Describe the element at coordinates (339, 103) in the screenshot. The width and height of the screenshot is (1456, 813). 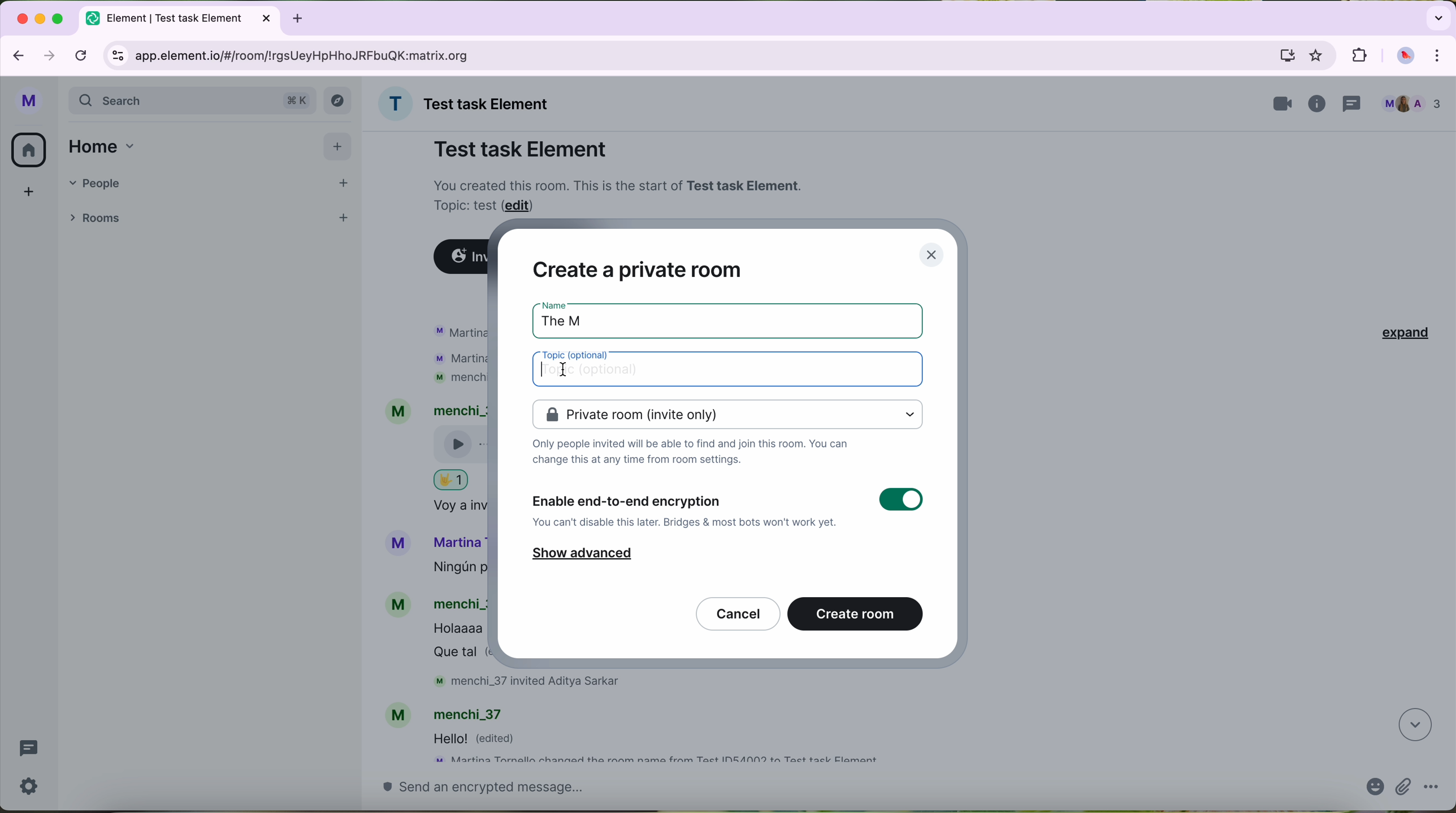
I see `explore button` at that location.